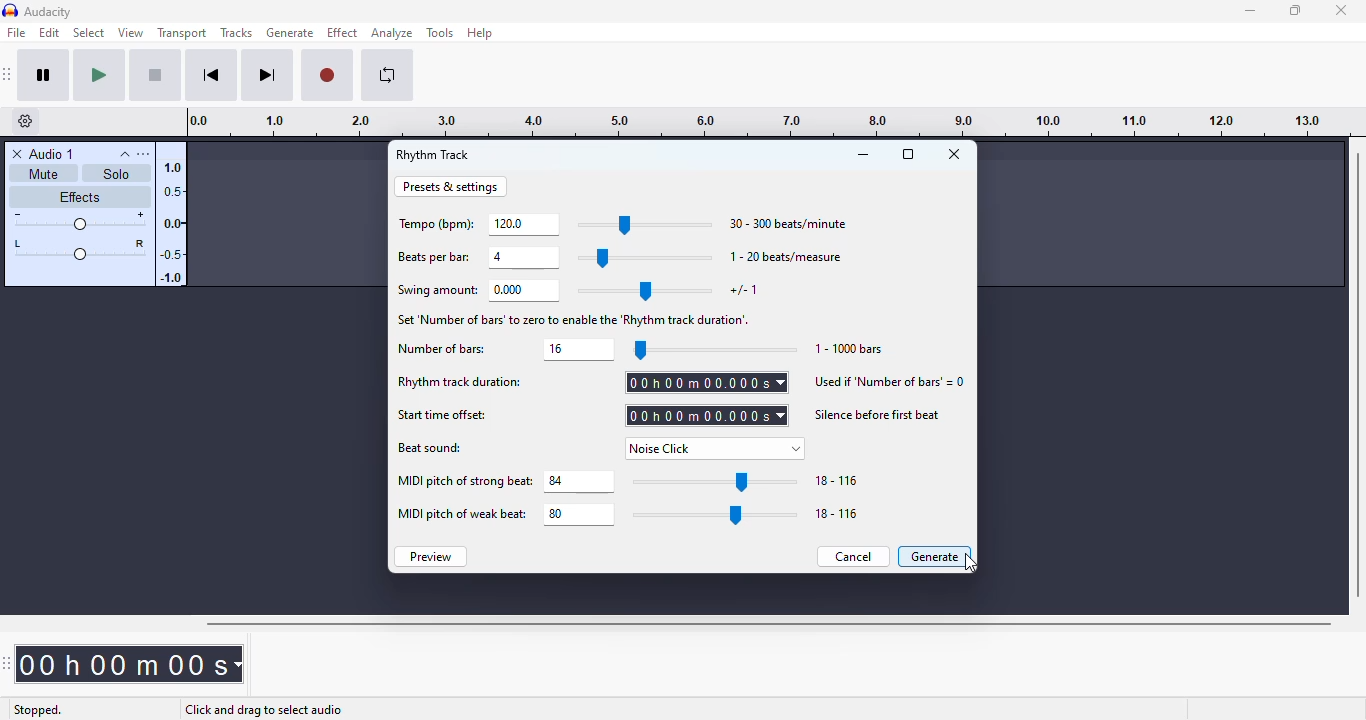 This screenshot has height=720, width=1366. I want to click on stop, so click(155, 75).